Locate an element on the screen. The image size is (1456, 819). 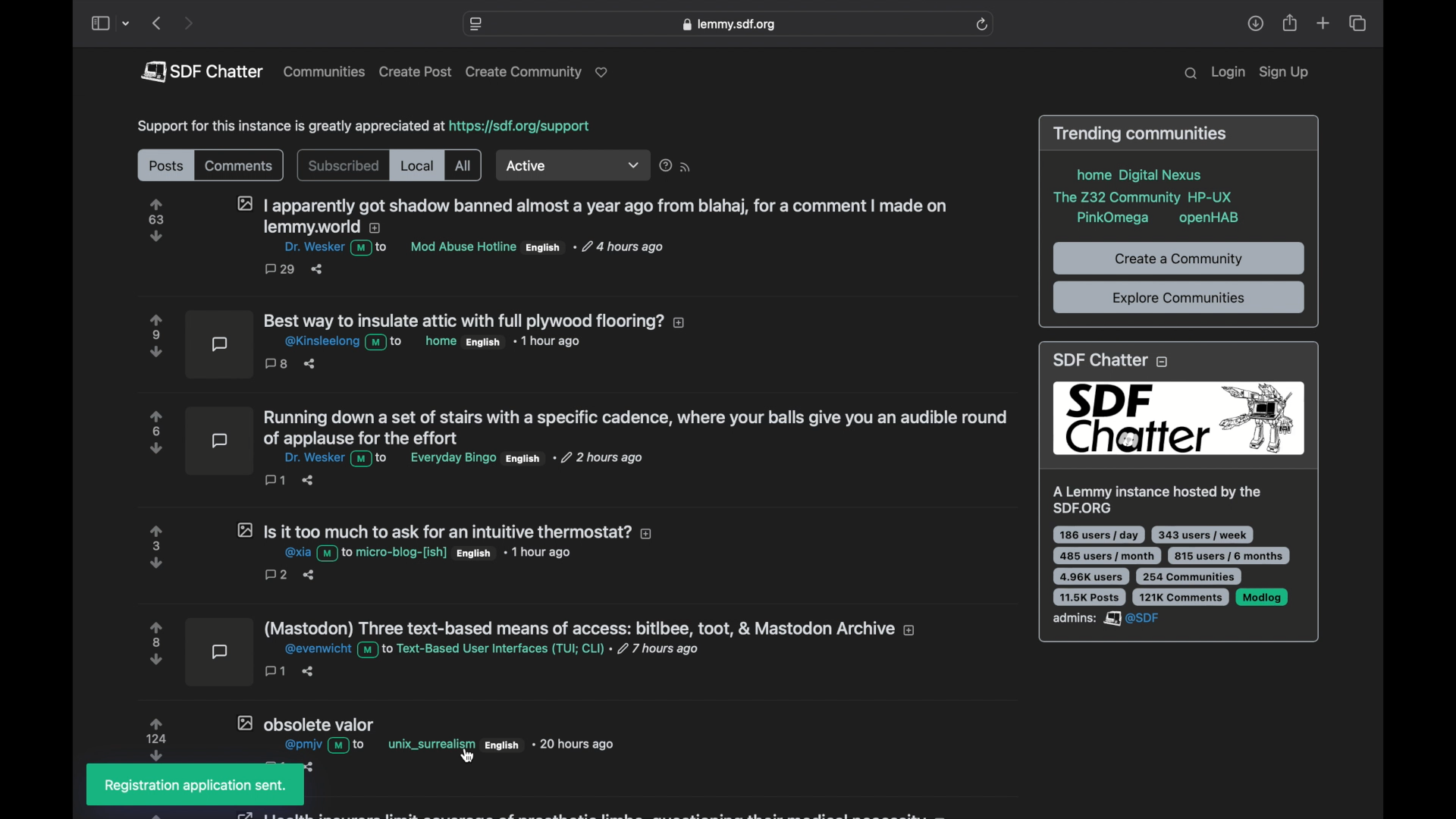
search is located at coordinates (1191, 74).